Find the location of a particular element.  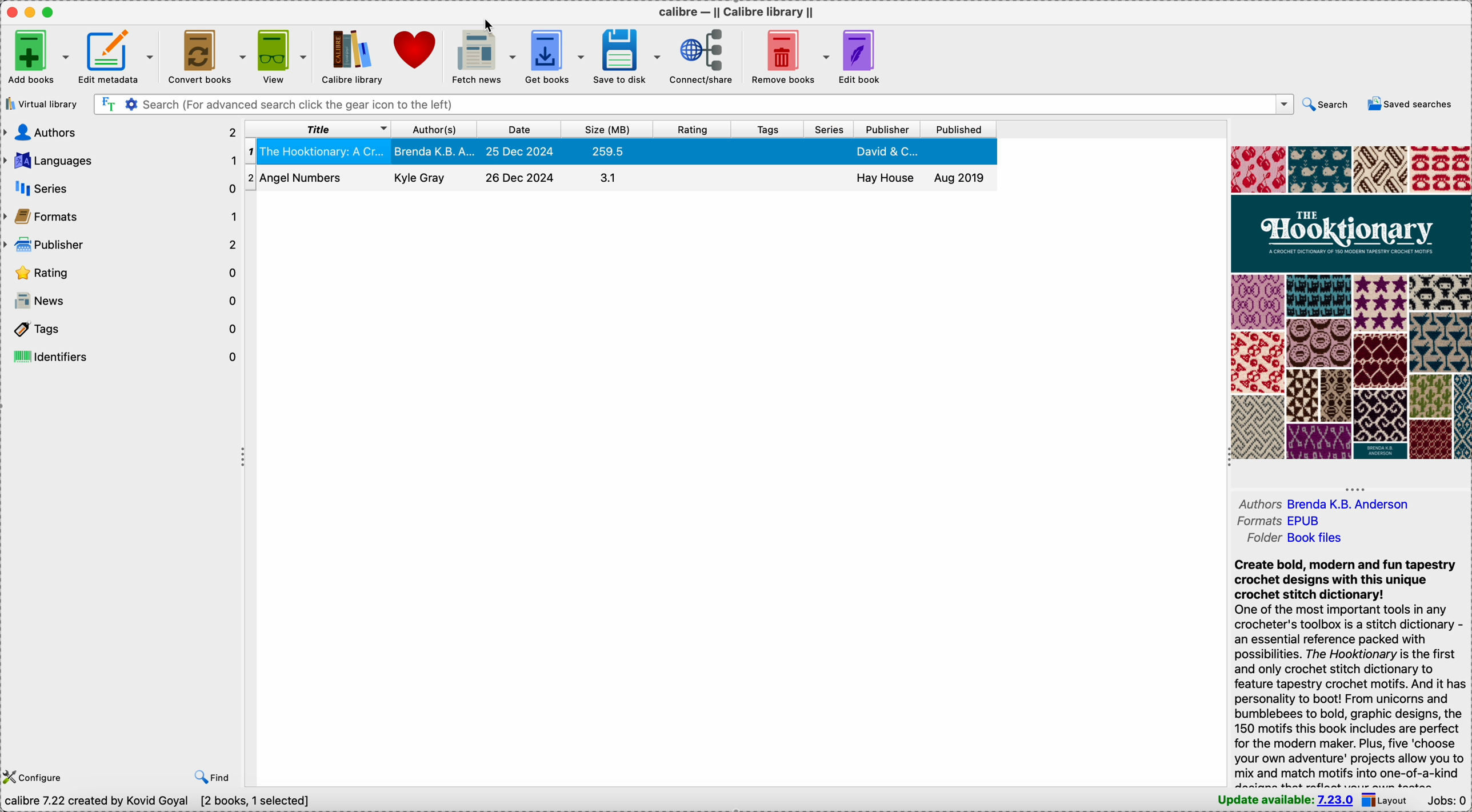

title is located at coordinates (318, 128).